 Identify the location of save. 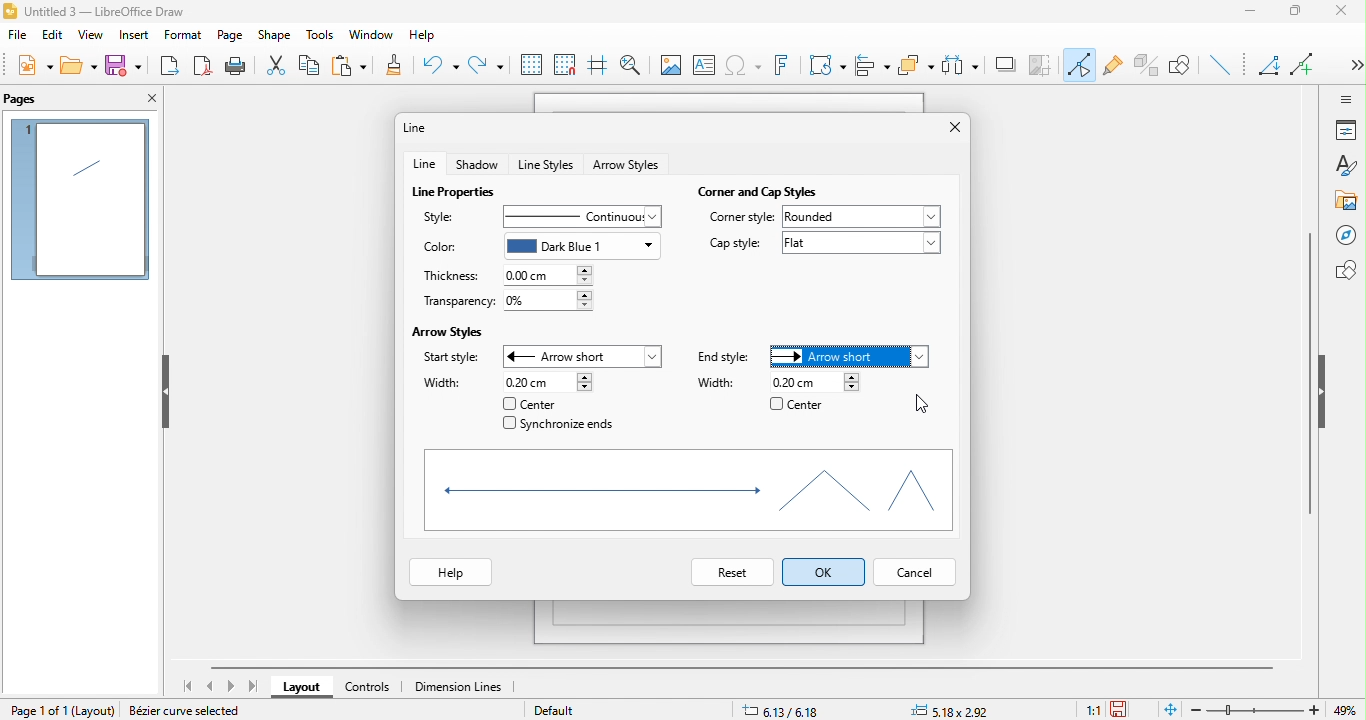
(125, 68).